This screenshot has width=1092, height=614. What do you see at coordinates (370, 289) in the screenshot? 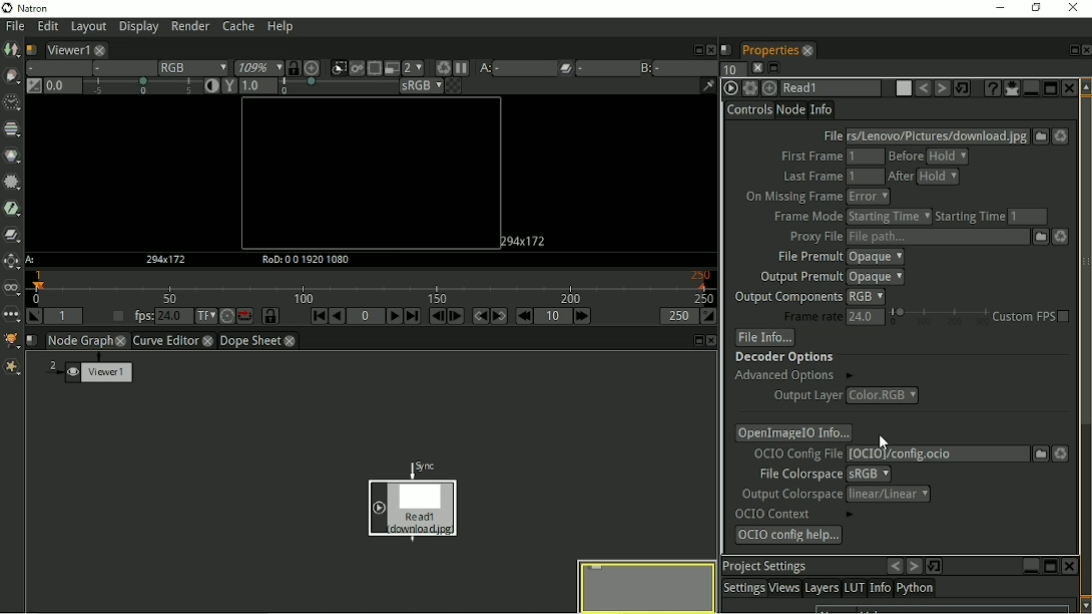
I see `Timeline` at bounding box center [370, 289].